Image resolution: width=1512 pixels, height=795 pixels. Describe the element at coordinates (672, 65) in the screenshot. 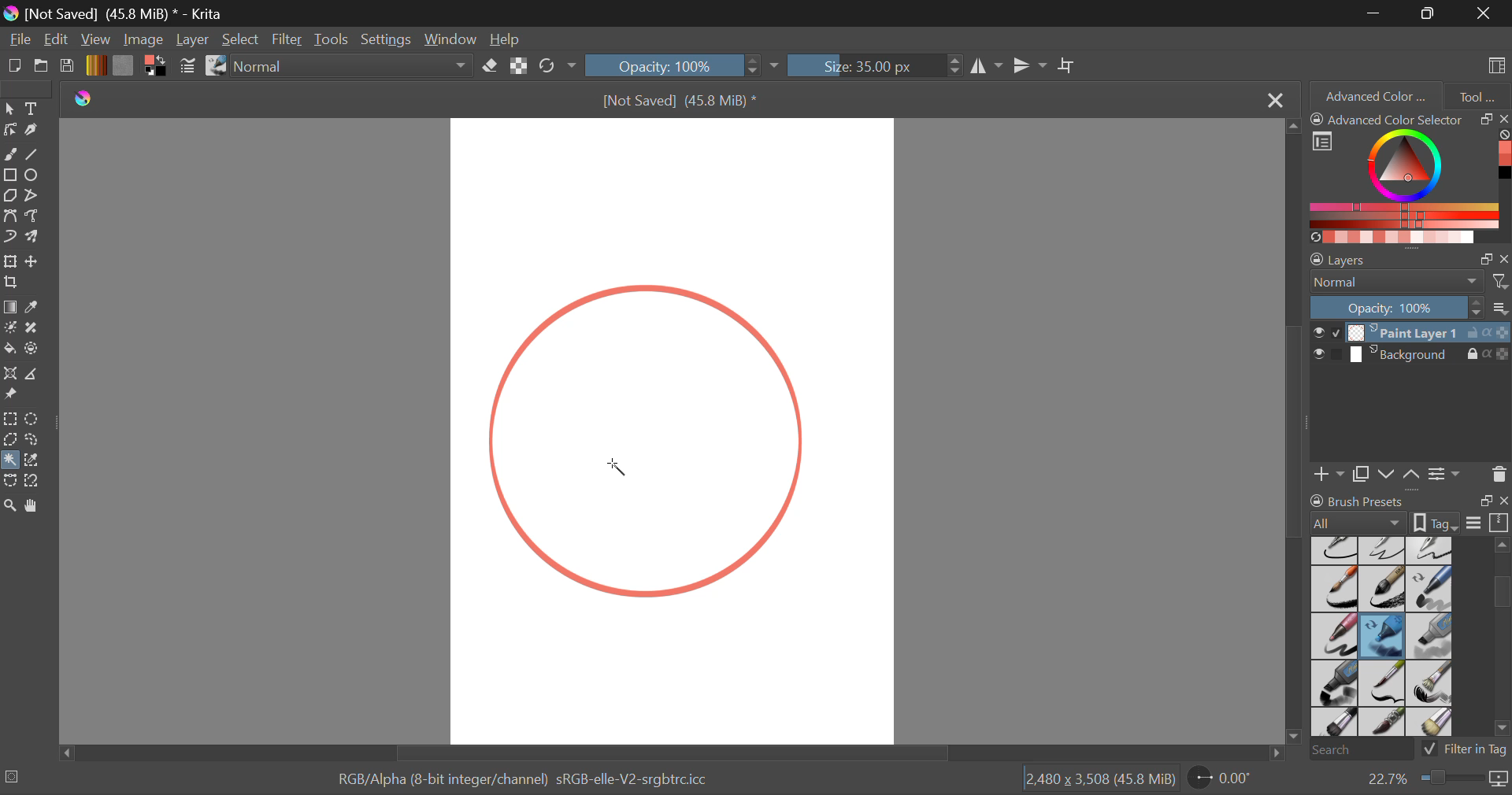

I see `Opacity 100%` at that location.